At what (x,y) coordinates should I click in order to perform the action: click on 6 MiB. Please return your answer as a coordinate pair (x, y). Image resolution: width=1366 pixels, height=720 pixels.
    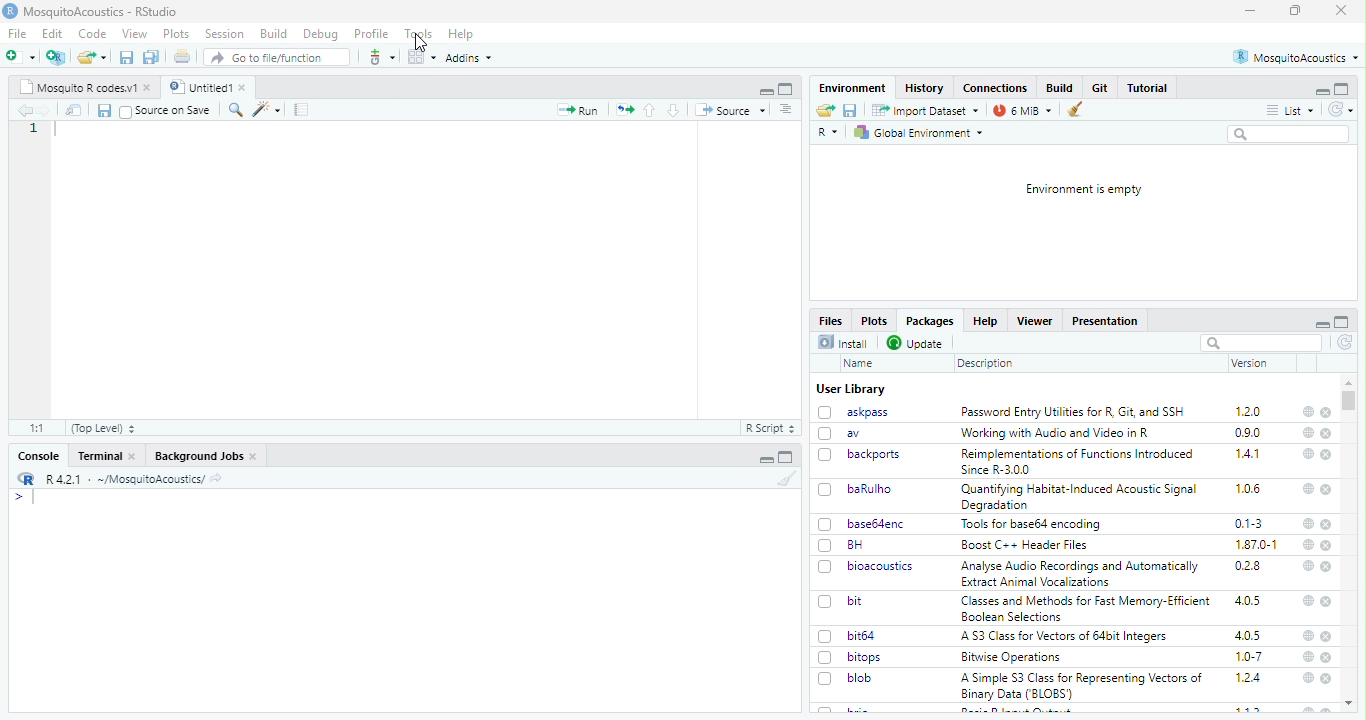
    Looking at the image, I should click on (1023, 111).